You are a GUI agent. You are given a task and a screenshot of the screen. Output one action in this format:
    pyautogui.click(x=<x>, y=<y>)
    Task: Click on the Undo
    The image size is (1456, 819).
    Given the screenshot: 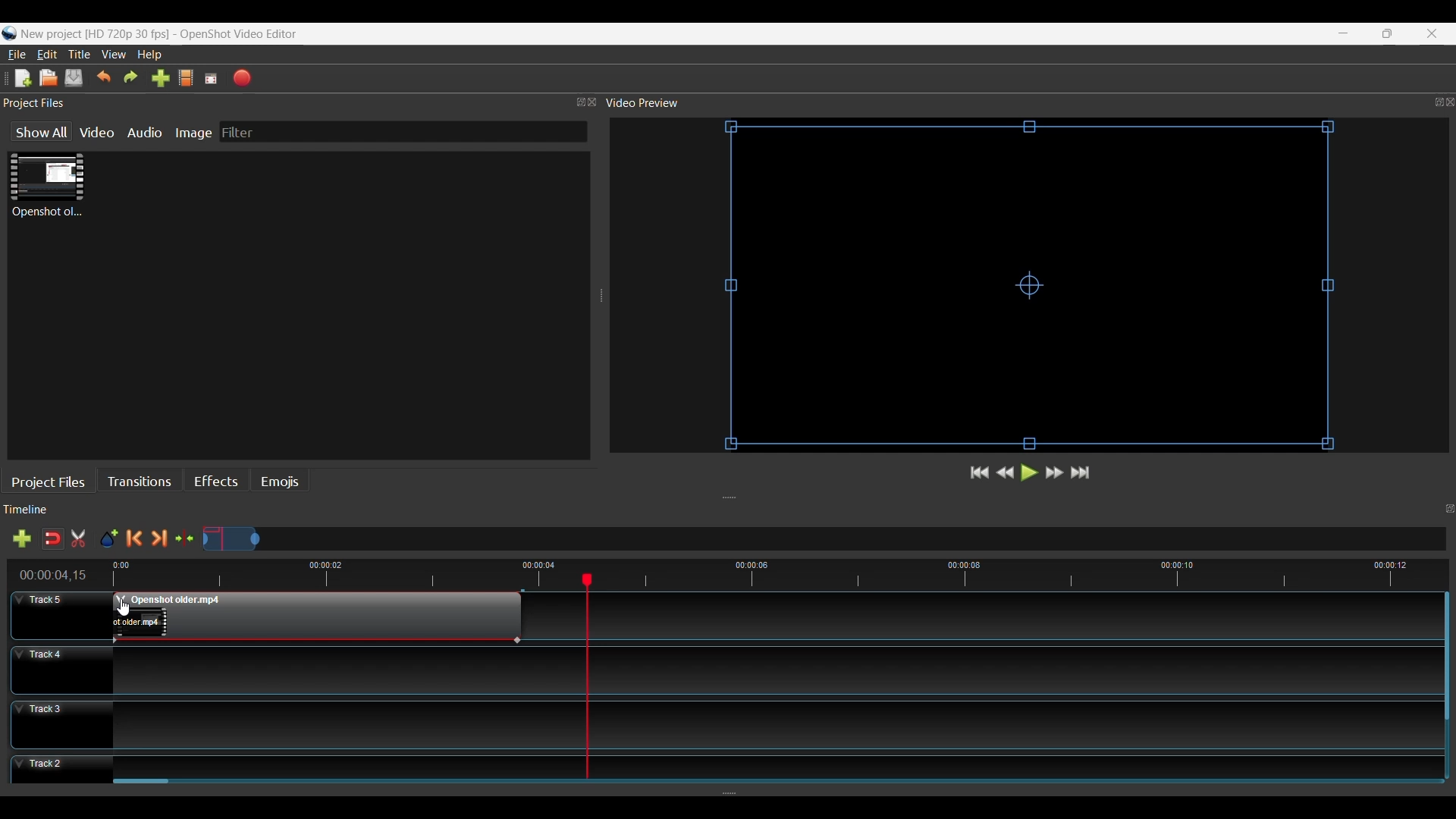 What is the action you would take?
    pyautogui.click(x=104, y=78)
    